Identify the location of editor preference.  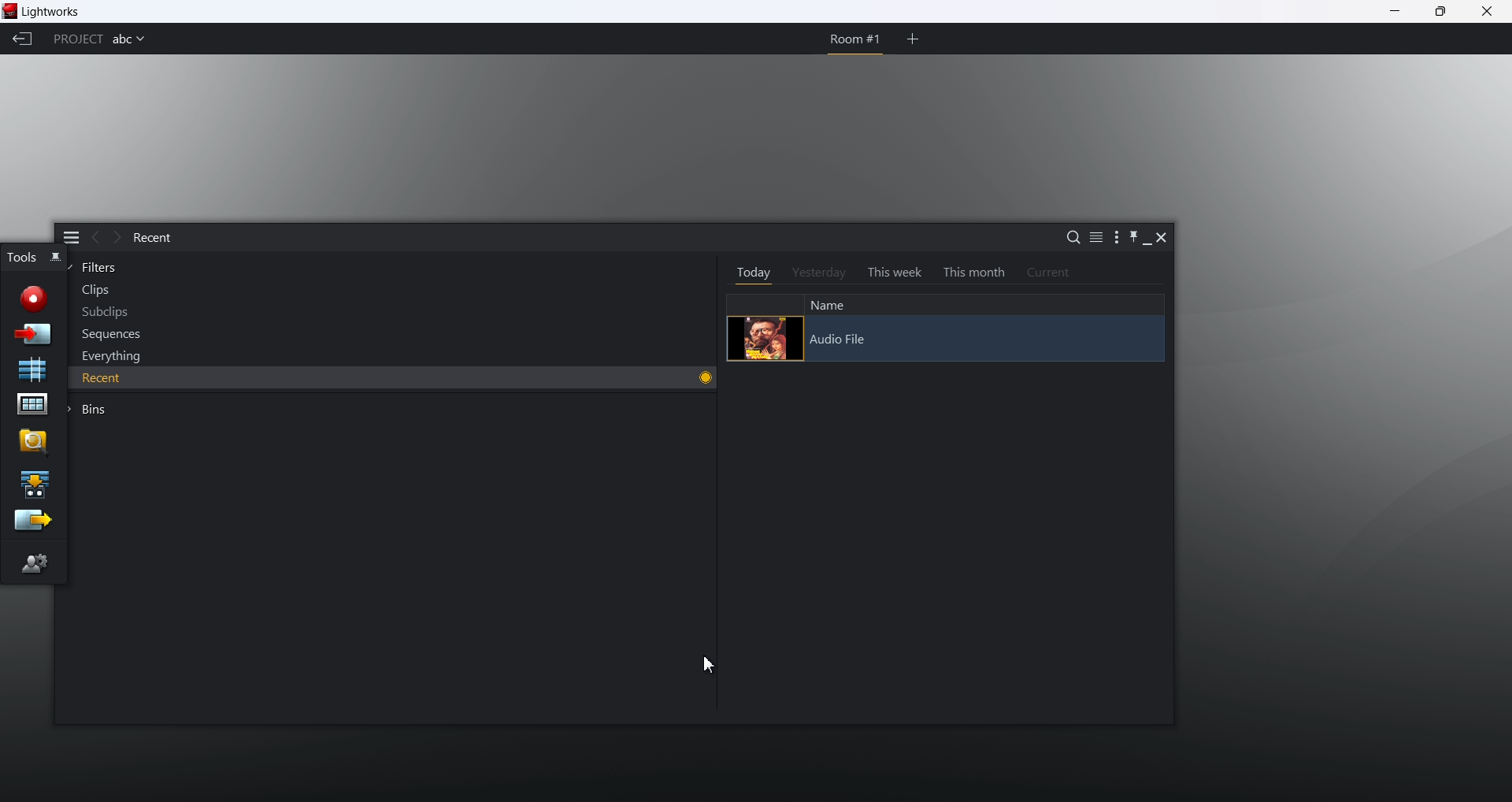
(35, 563).